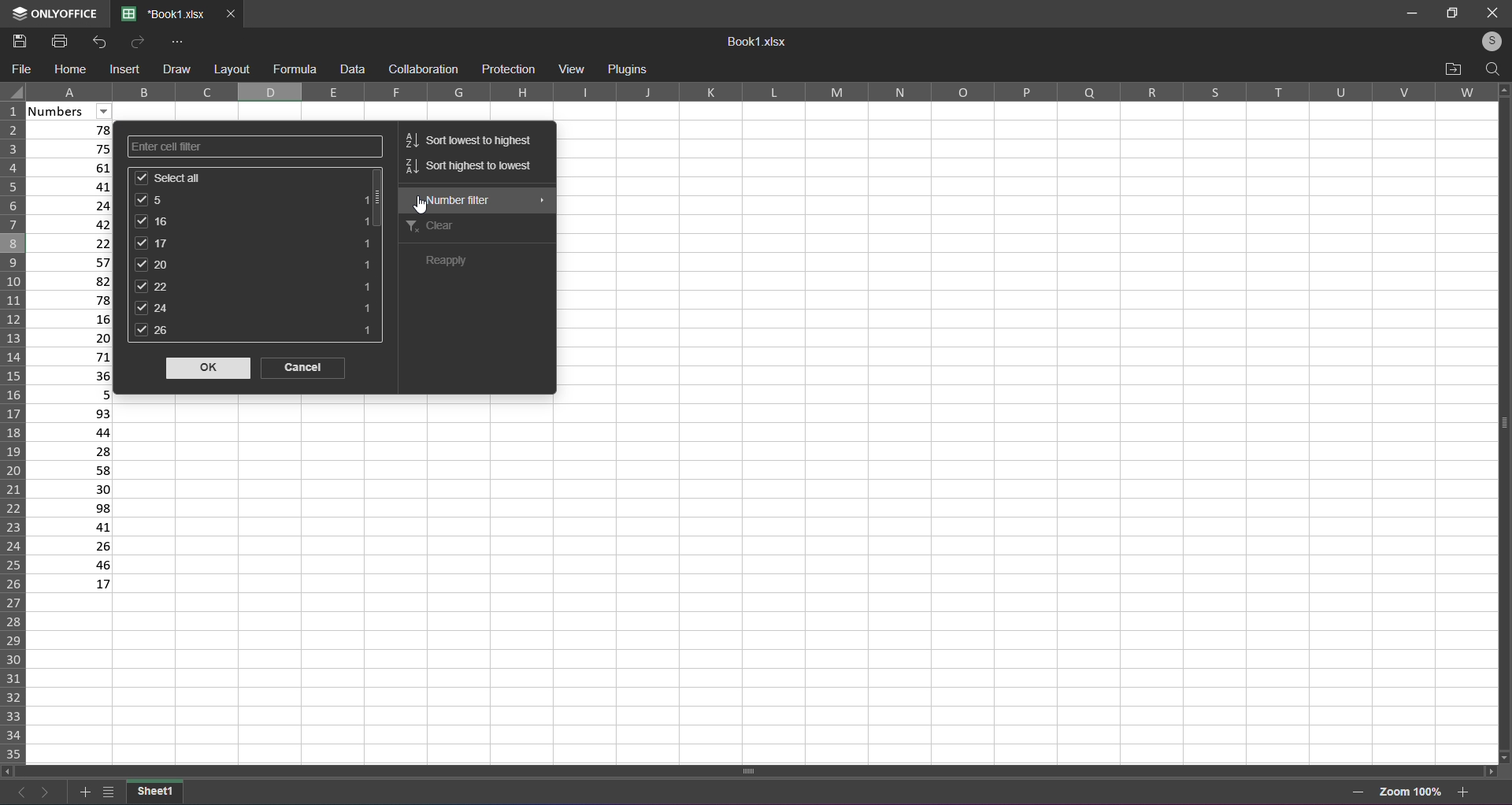  What do you see at coordinates (17, 789) in the screenshot?
I see `previous` at bounding box center [17, 789].